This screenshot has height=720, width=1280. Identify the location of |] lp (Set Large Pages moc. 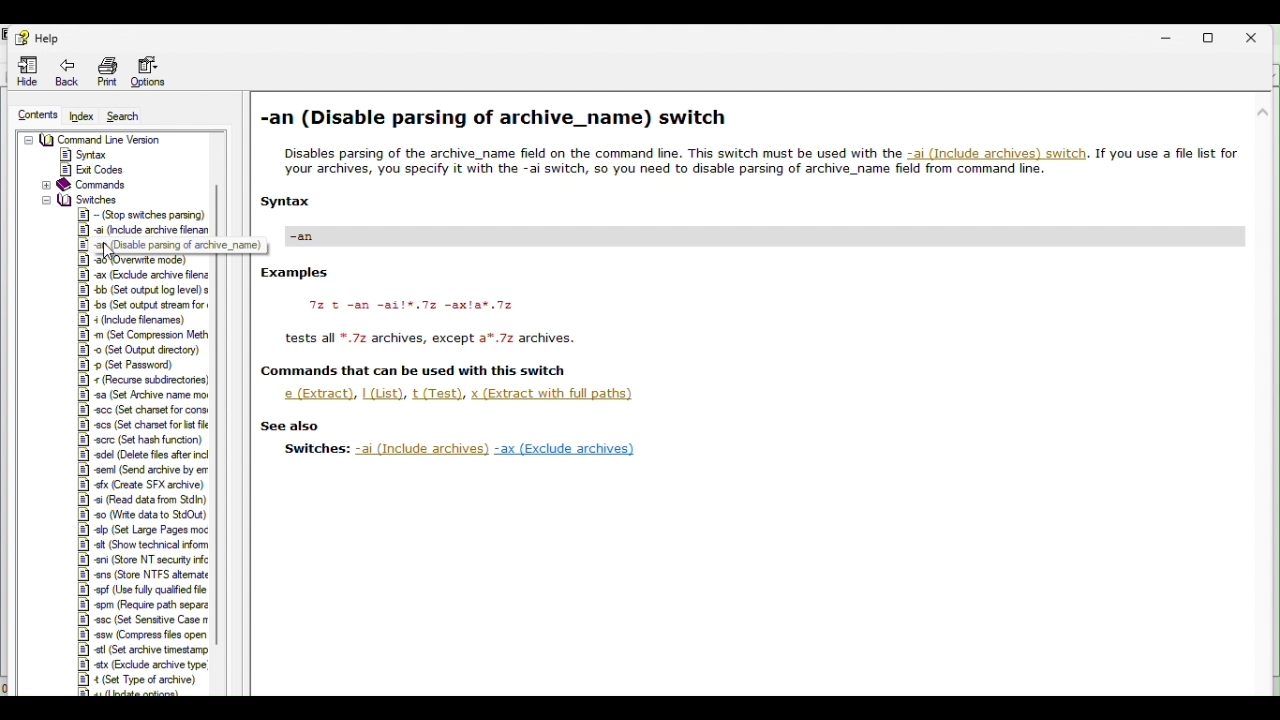
(140, 531).